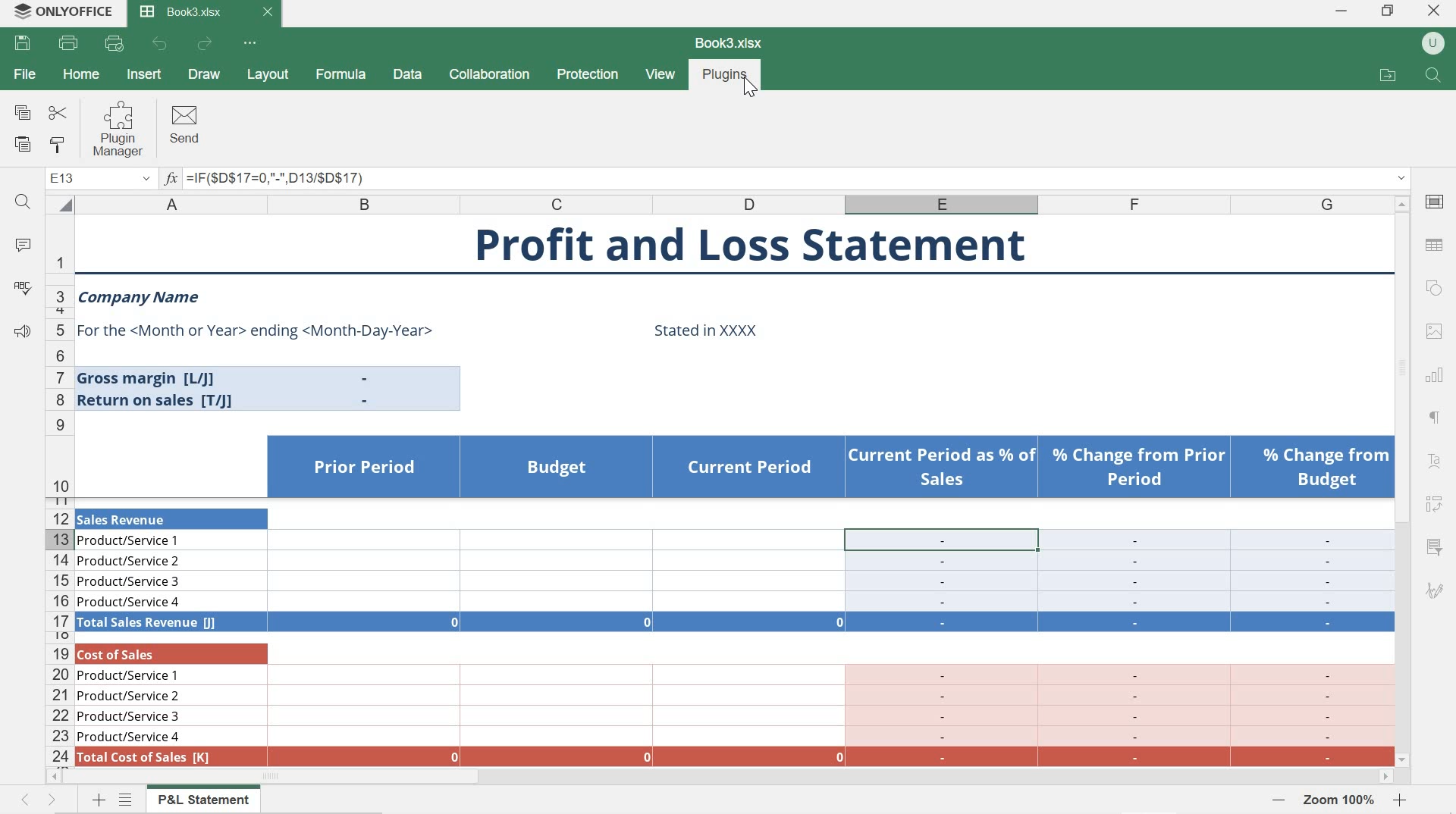 The height and width of the screenshot is (814, 1456). I want to click on minimize, so click(1338, 10).